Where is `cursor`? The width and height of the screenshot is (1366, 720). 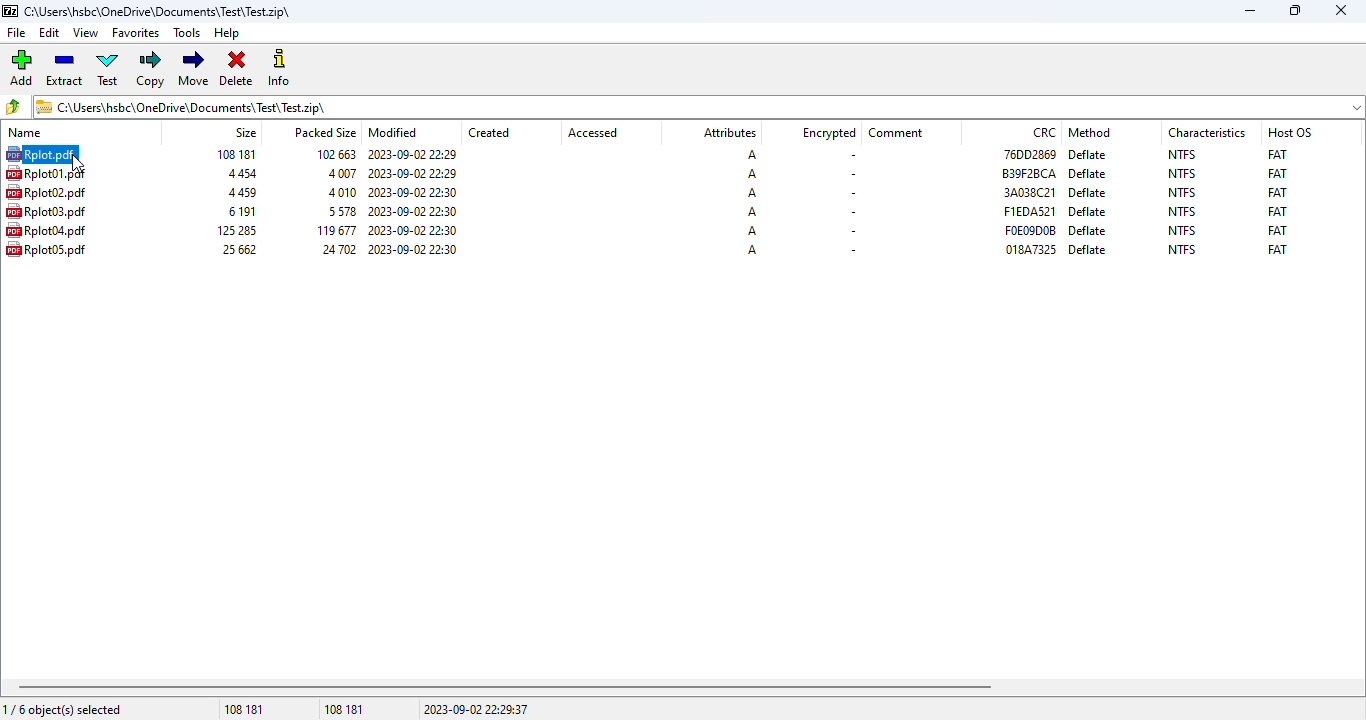
cursor is located at coordinates (78, 164).